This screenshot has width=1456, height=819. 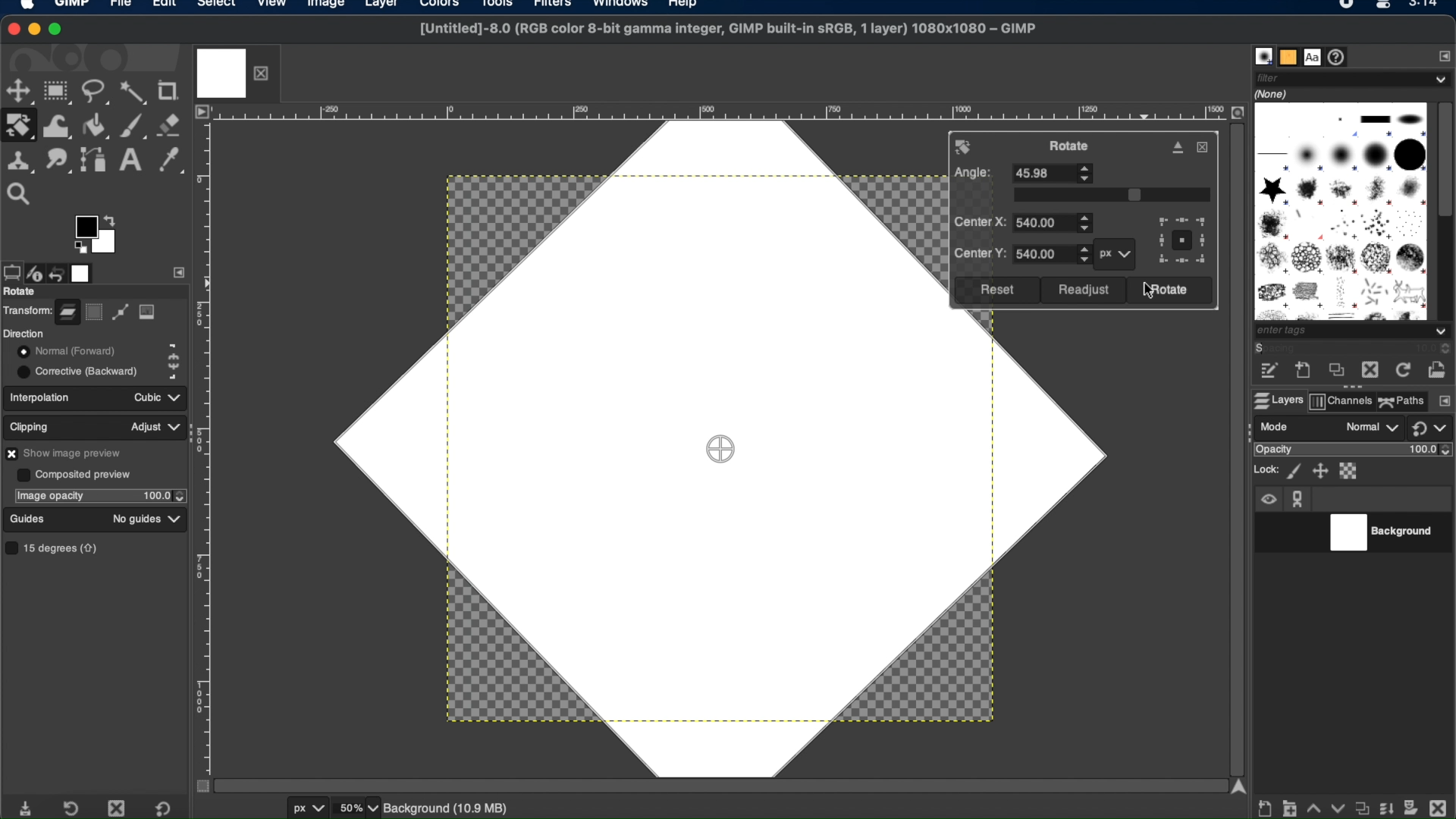 What do you see at coordinates (67, 453) in the screenshot?
I see `show image preview` at bounding box center [67, 453].